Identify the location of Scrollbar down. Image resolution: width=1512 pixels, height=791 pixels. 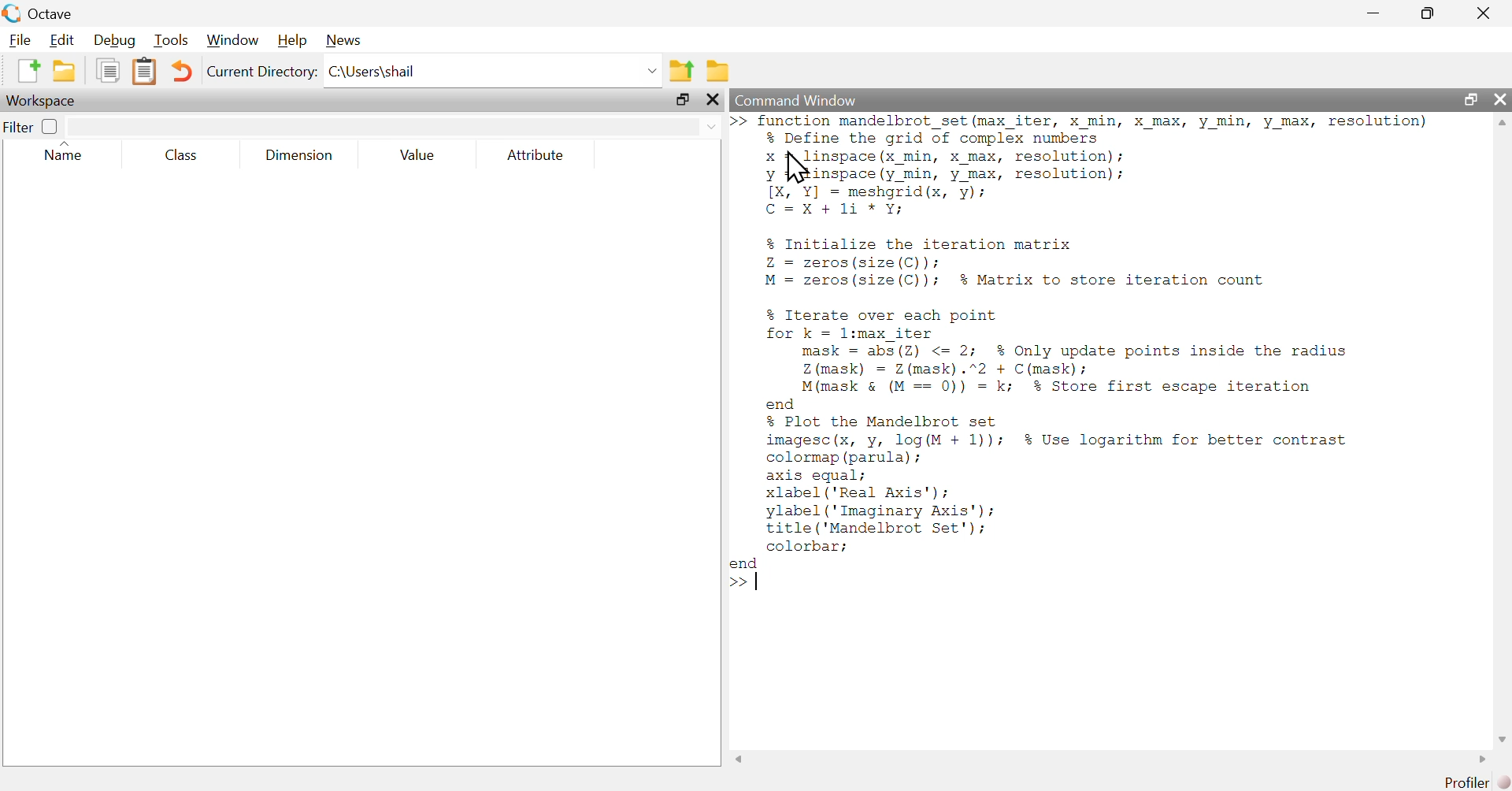
(1502, 737).